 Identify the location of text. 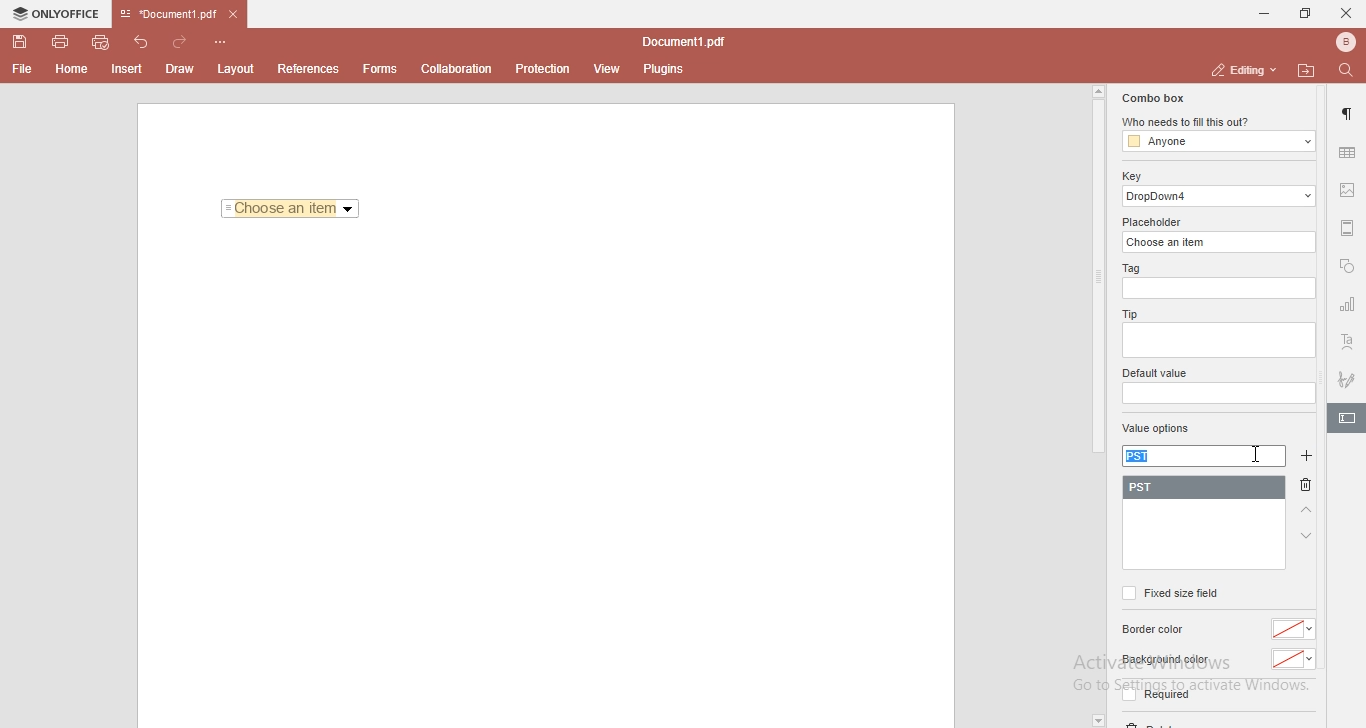
(1348, 343).